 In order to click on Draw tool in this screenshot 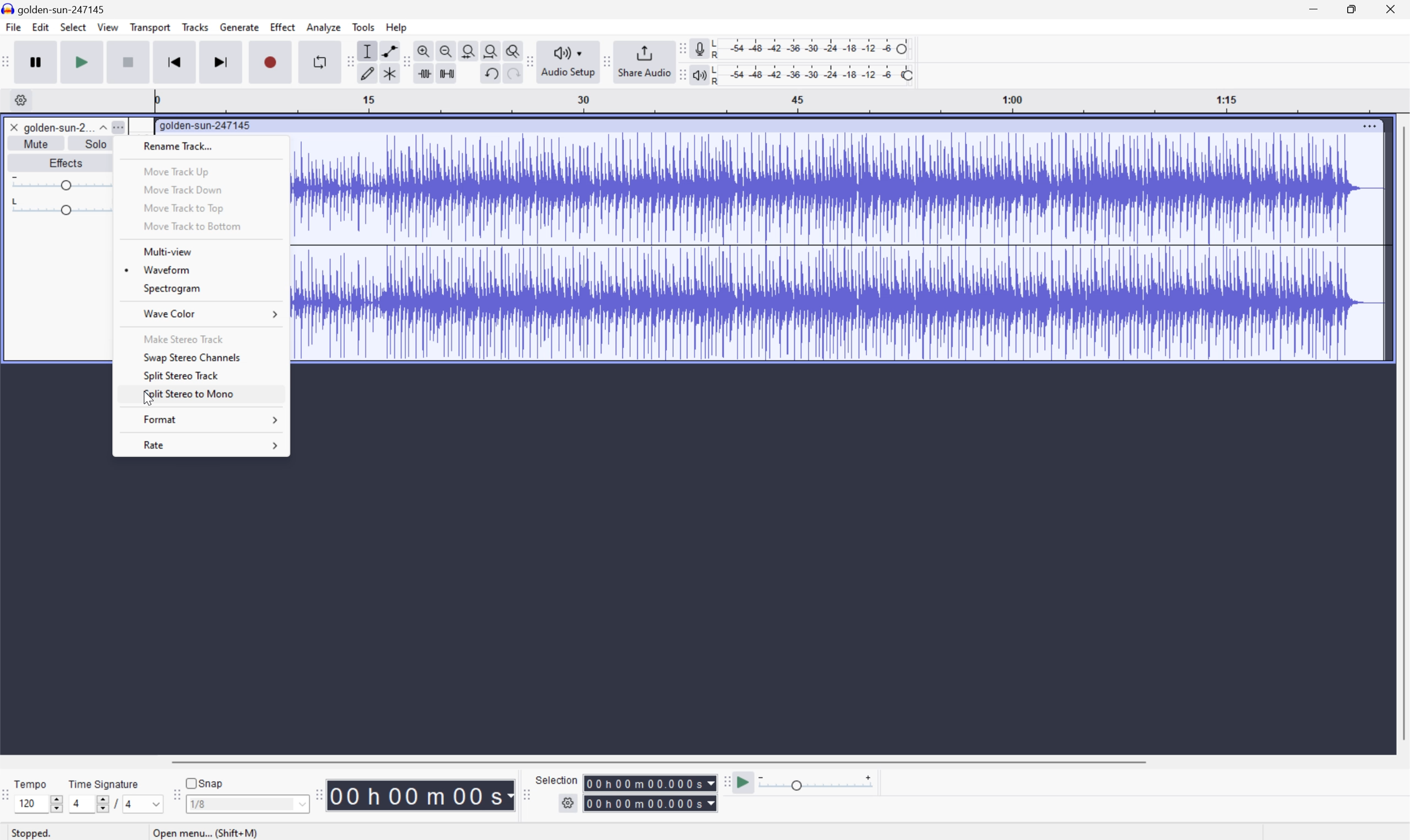, I will do `click(368, 74)`.